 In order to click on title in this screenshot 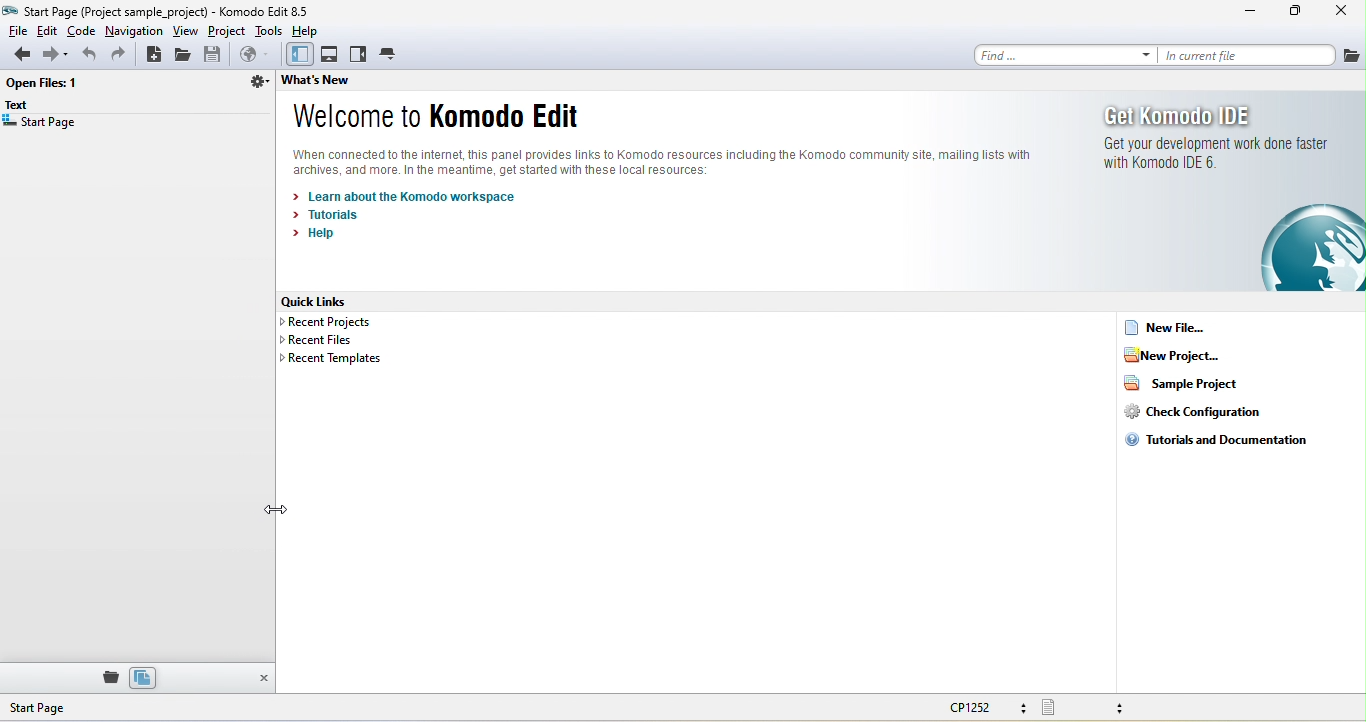, I will do `click(164, 11)`.